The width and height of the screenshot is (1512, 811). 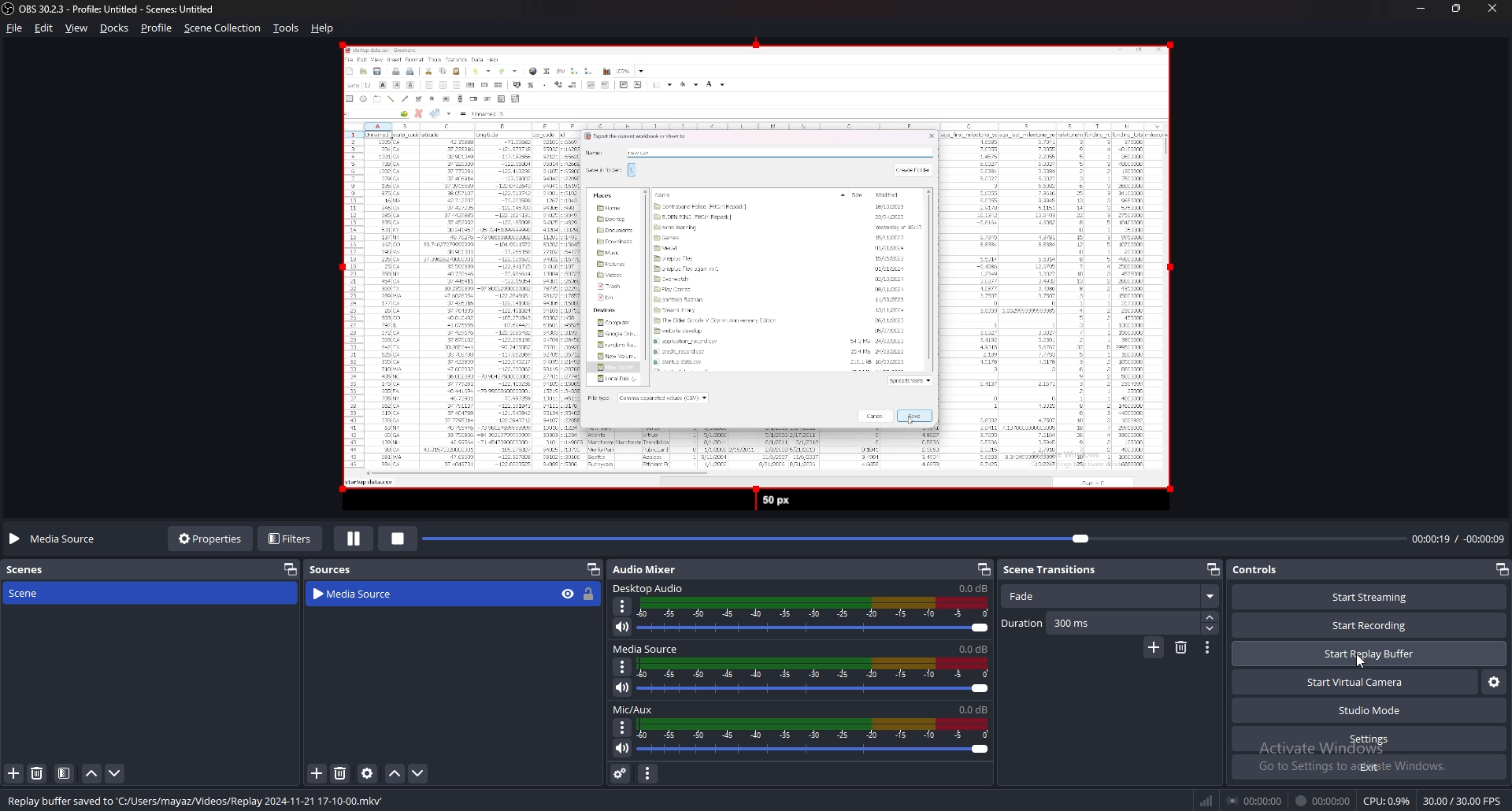 What do you see at coordinates (37, 772) in the screenshot?
I see `delete scene` at bounding box center [37, 772].